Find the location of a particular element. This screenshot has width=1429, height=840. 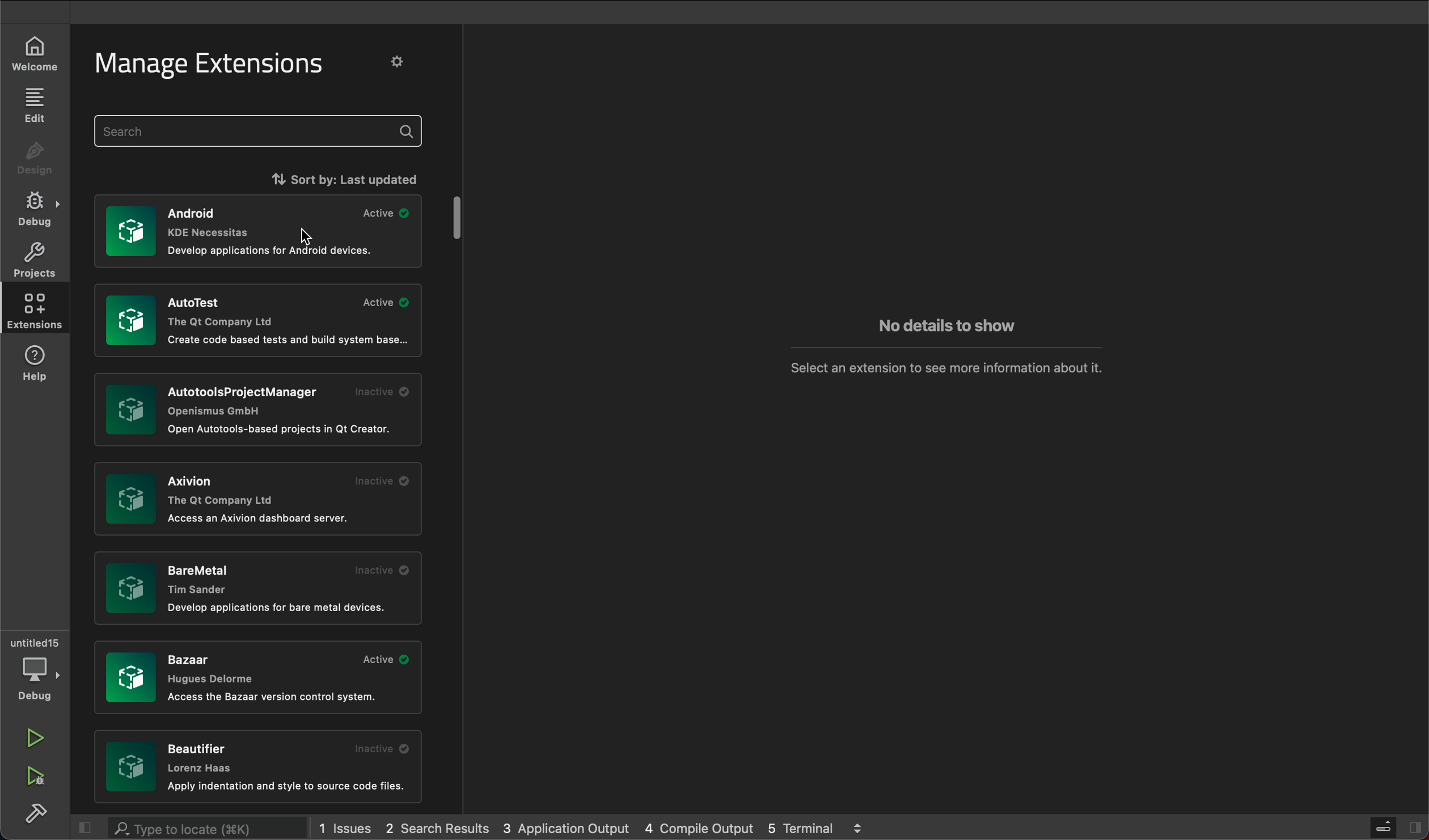

manage extension is located at coordinates (212, 65).